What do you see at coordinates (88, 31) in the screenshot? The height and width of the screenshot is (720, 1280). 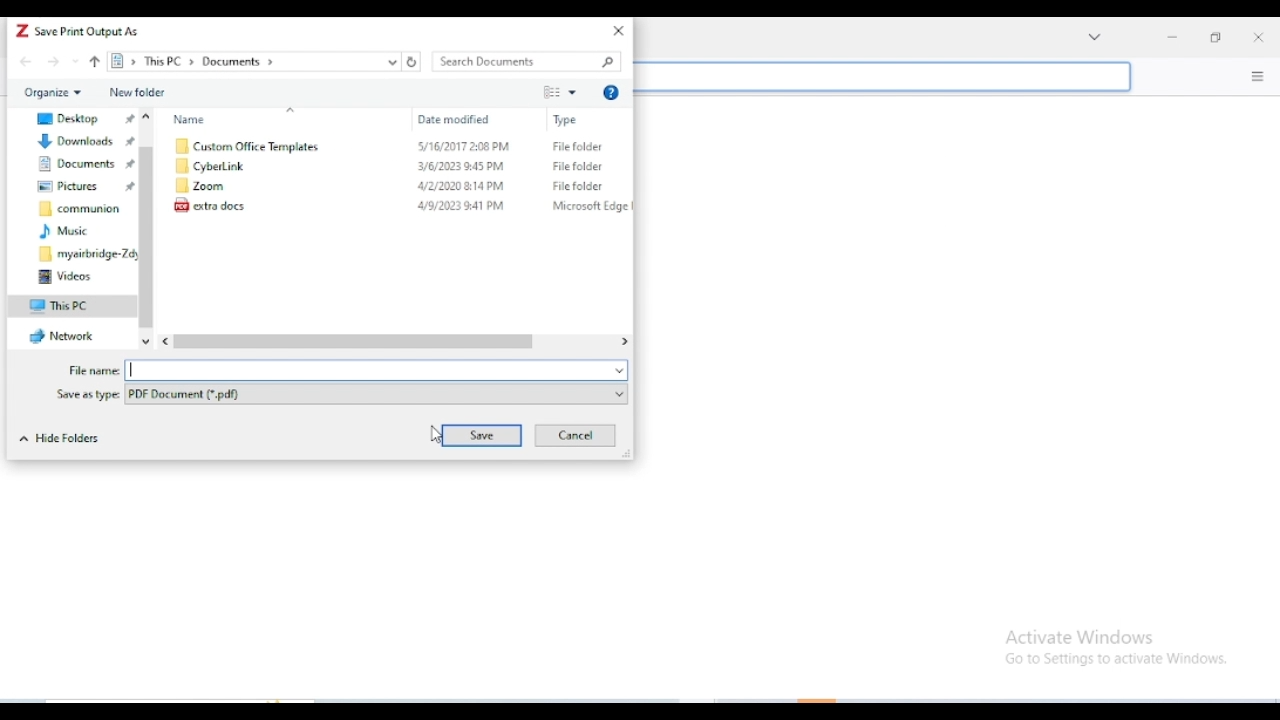 I see `save print output as` at bounding box center [88, 31].